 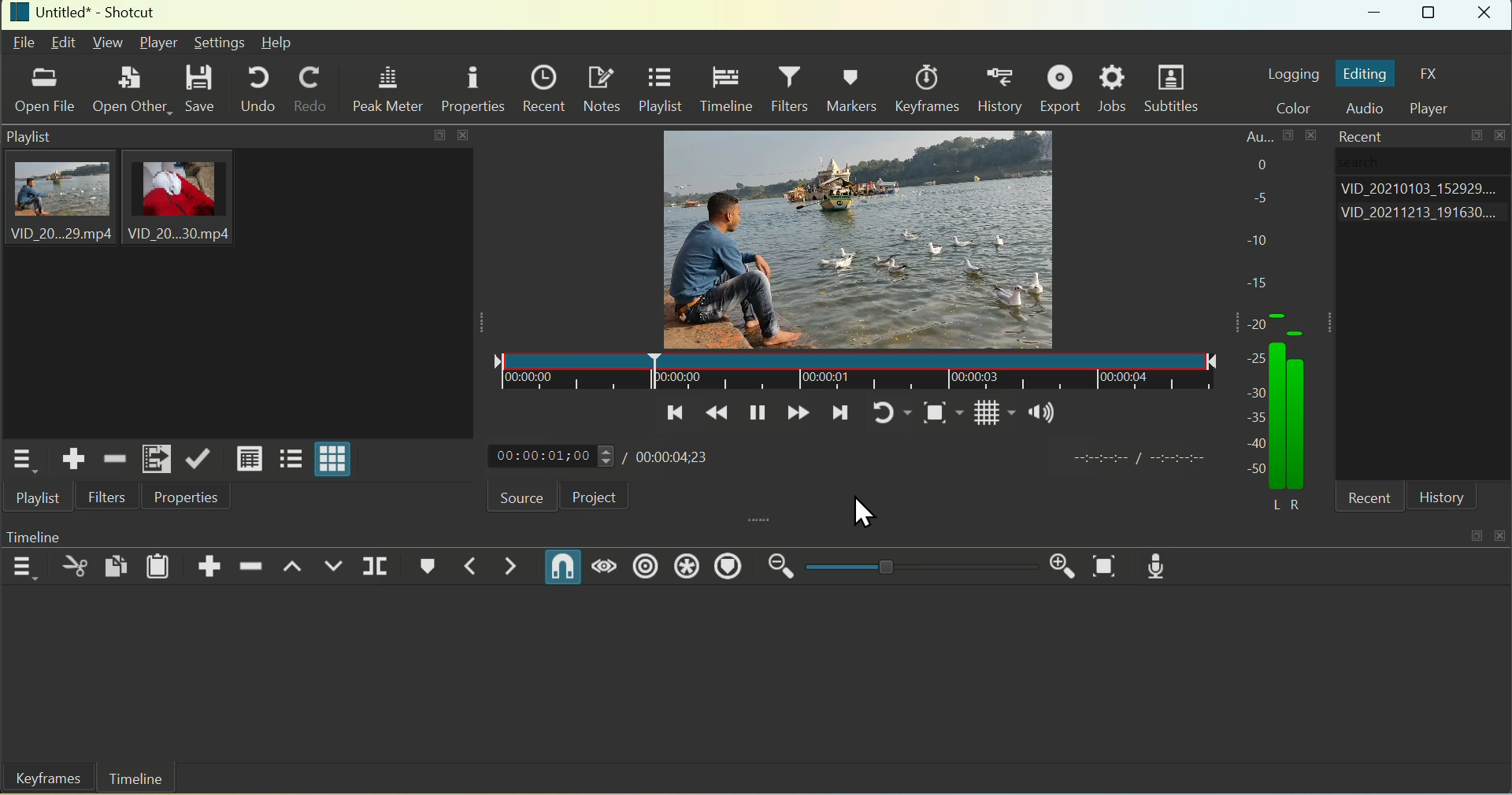 I want to click on Filters, so click(x=792, y=90).